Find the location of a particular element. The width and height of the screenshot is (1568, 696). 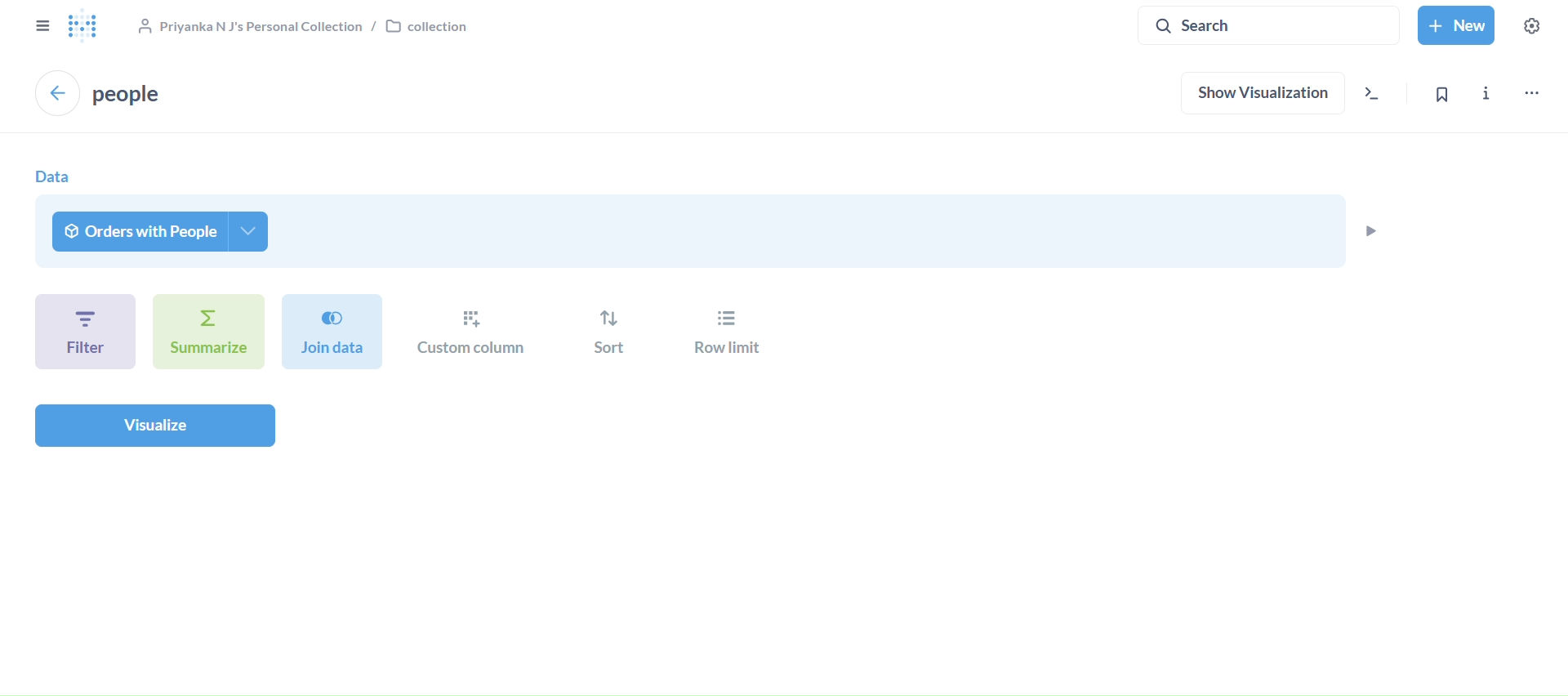

visualize is located at coordinates (154, 425).